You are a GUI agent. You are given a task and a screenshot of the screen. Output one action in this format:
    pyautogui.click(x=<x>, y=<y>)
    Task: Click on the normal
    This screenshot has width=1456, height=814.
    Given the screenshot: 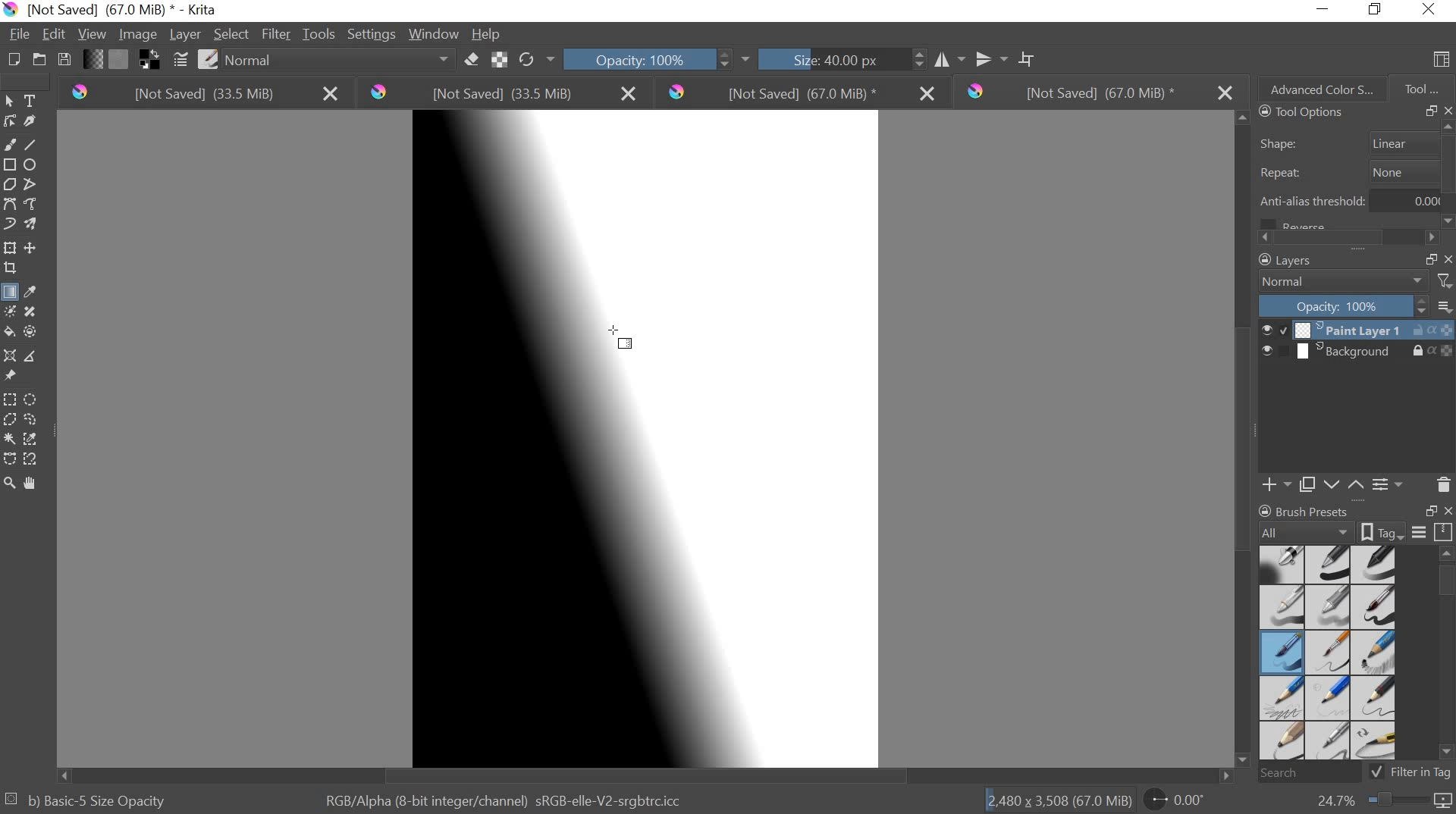 What is the action you would take?
    pyautogui.click(x=338, y=61)
    